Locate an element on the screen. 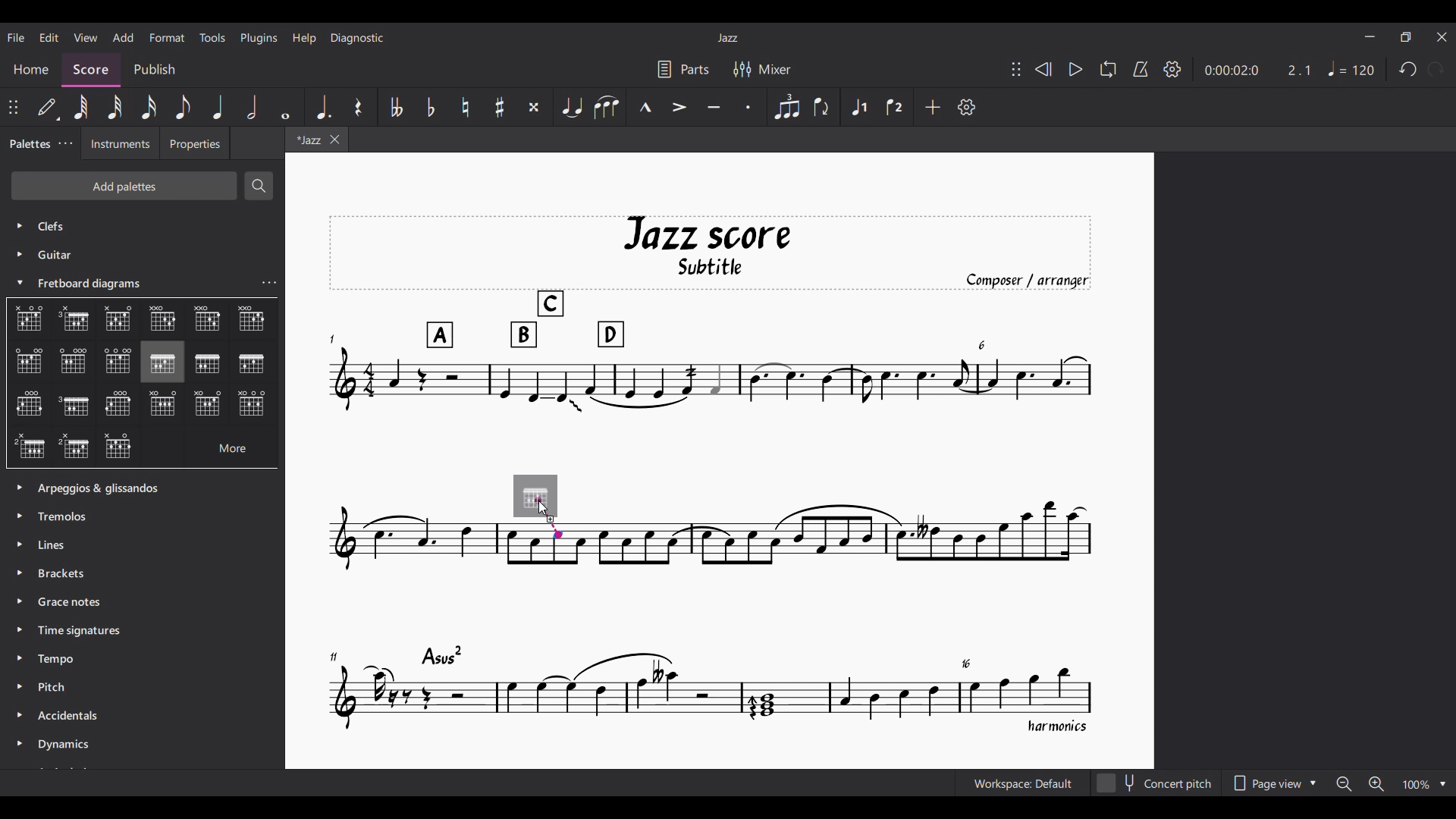  Brackets is located at coordinates (67, 576).